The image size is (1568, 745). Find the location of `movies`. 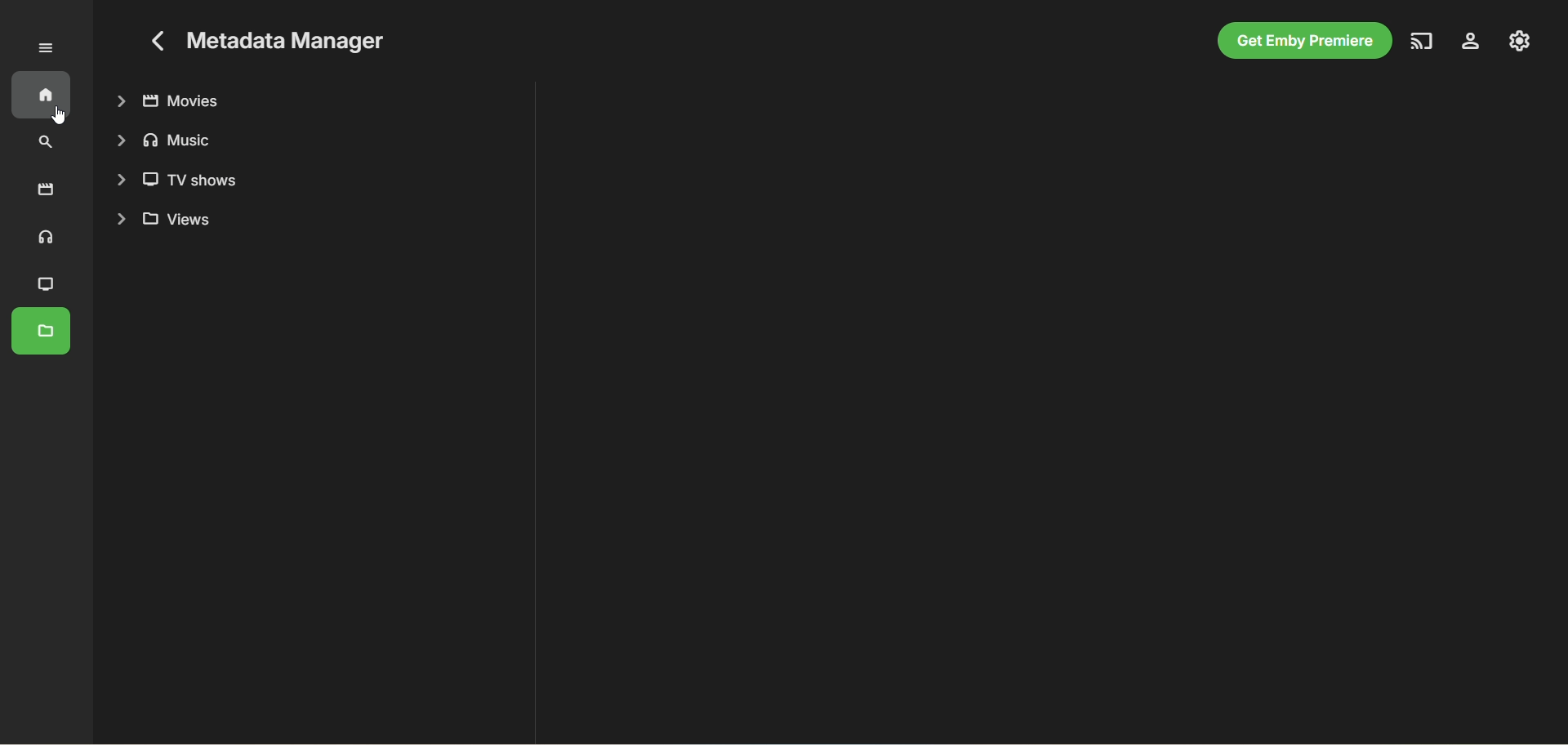

movies is located at coordinates (43, 190).